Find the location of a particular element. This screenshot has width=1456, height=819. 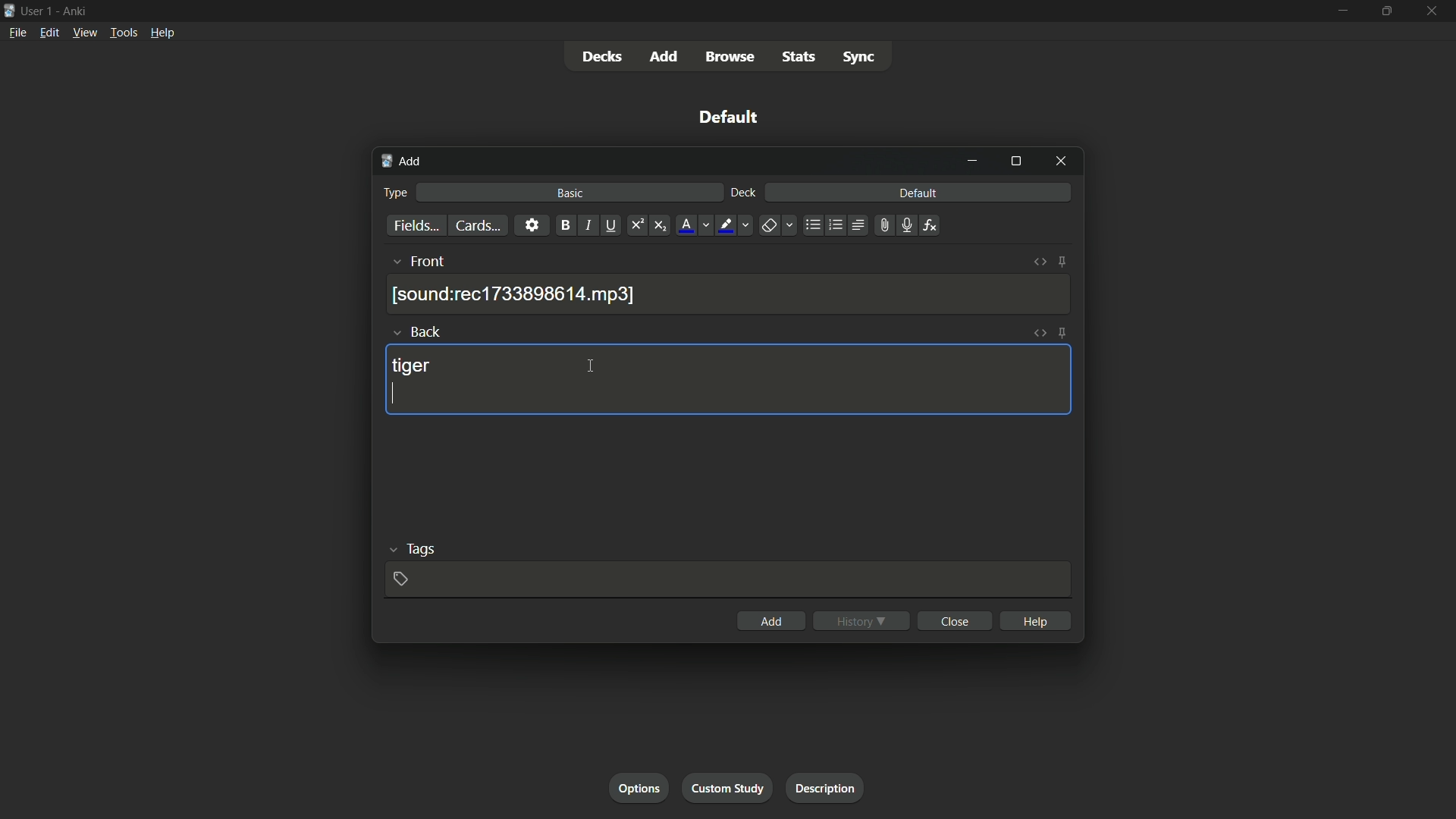

options is located at coordinates (642, 789).